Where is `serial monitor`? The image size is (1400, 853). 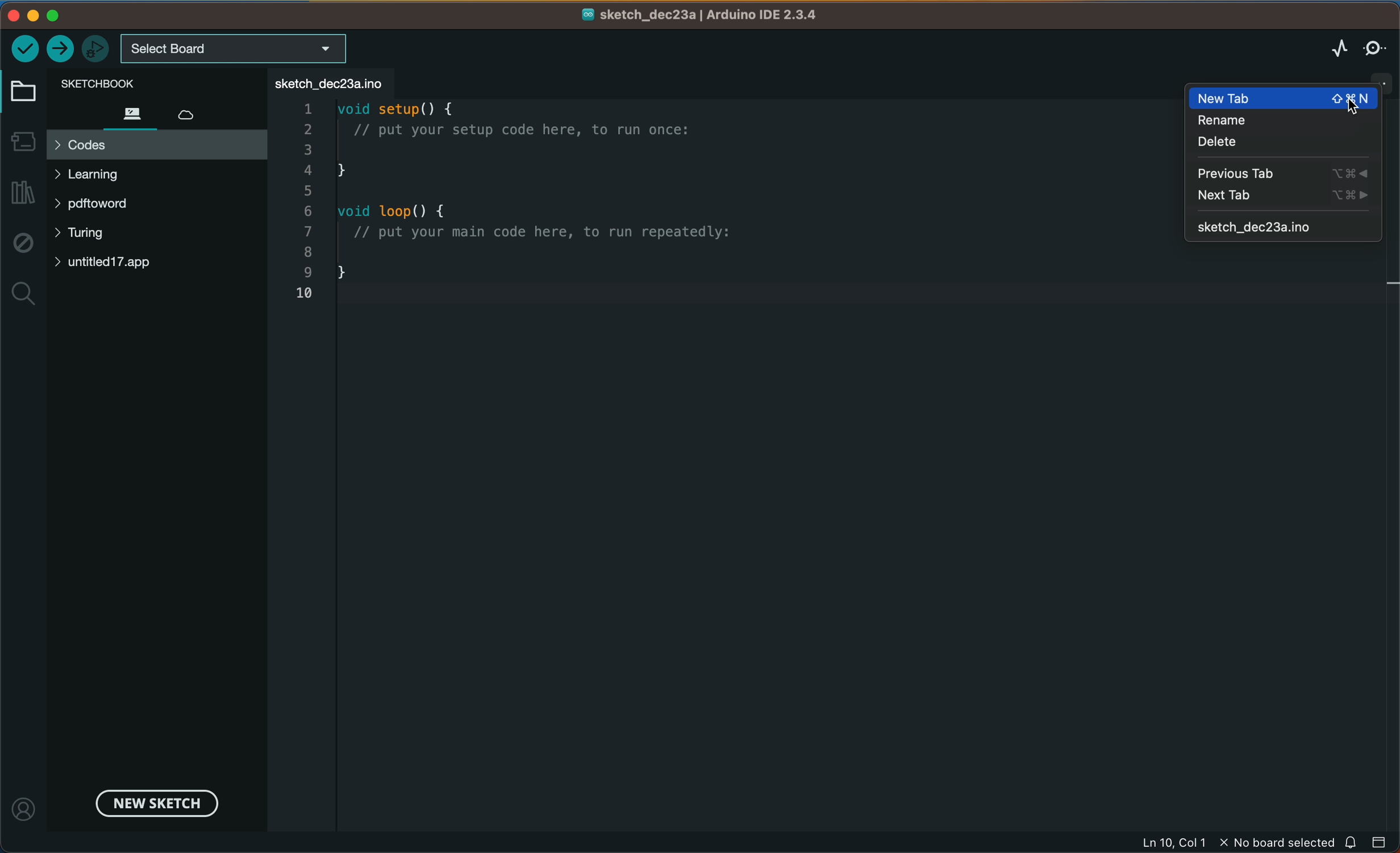
serial monitor is located at coordinates (1376, 47).